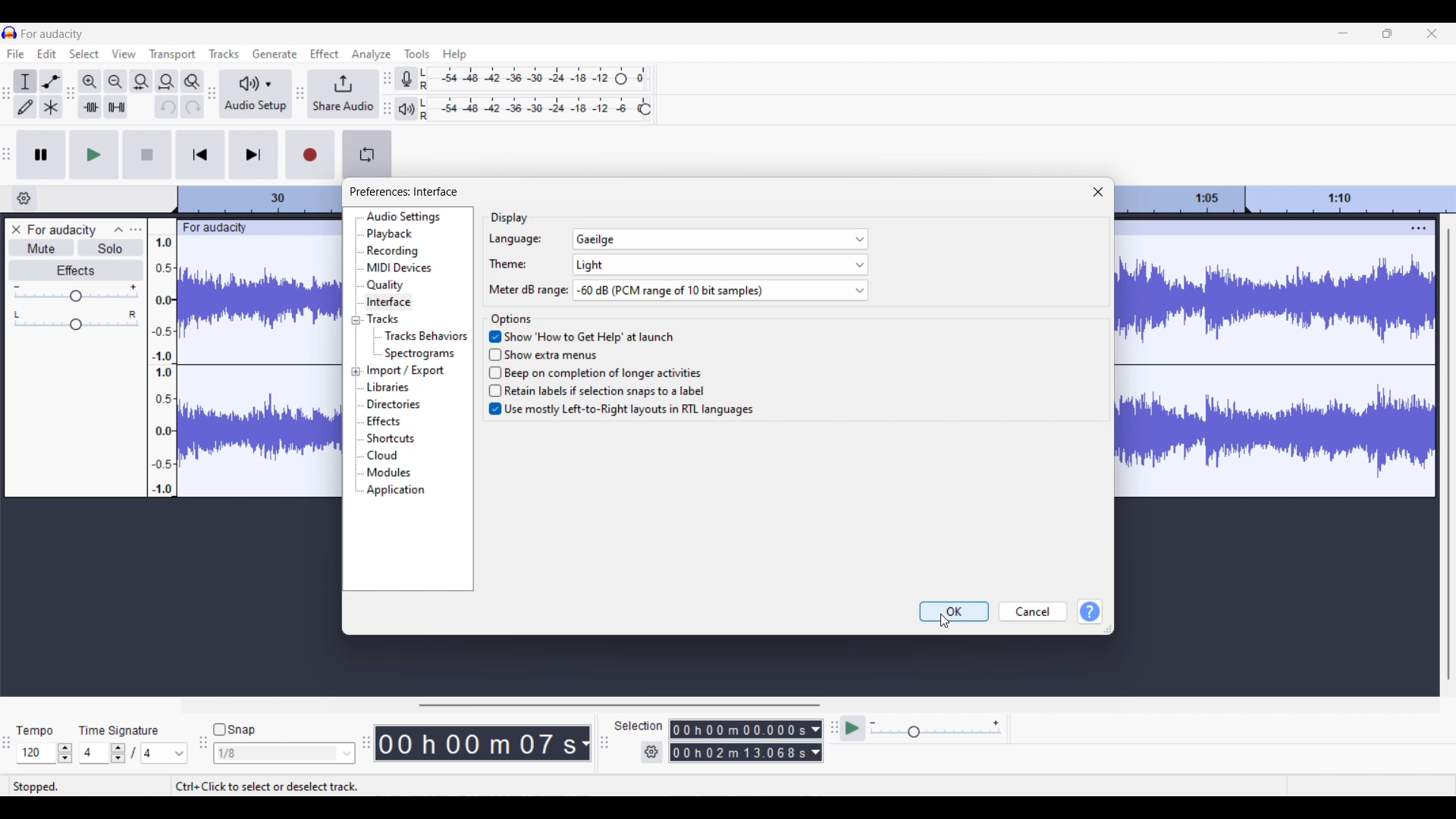 The image size is (1456, 819). I want to click on Undo, so click(166, 106).